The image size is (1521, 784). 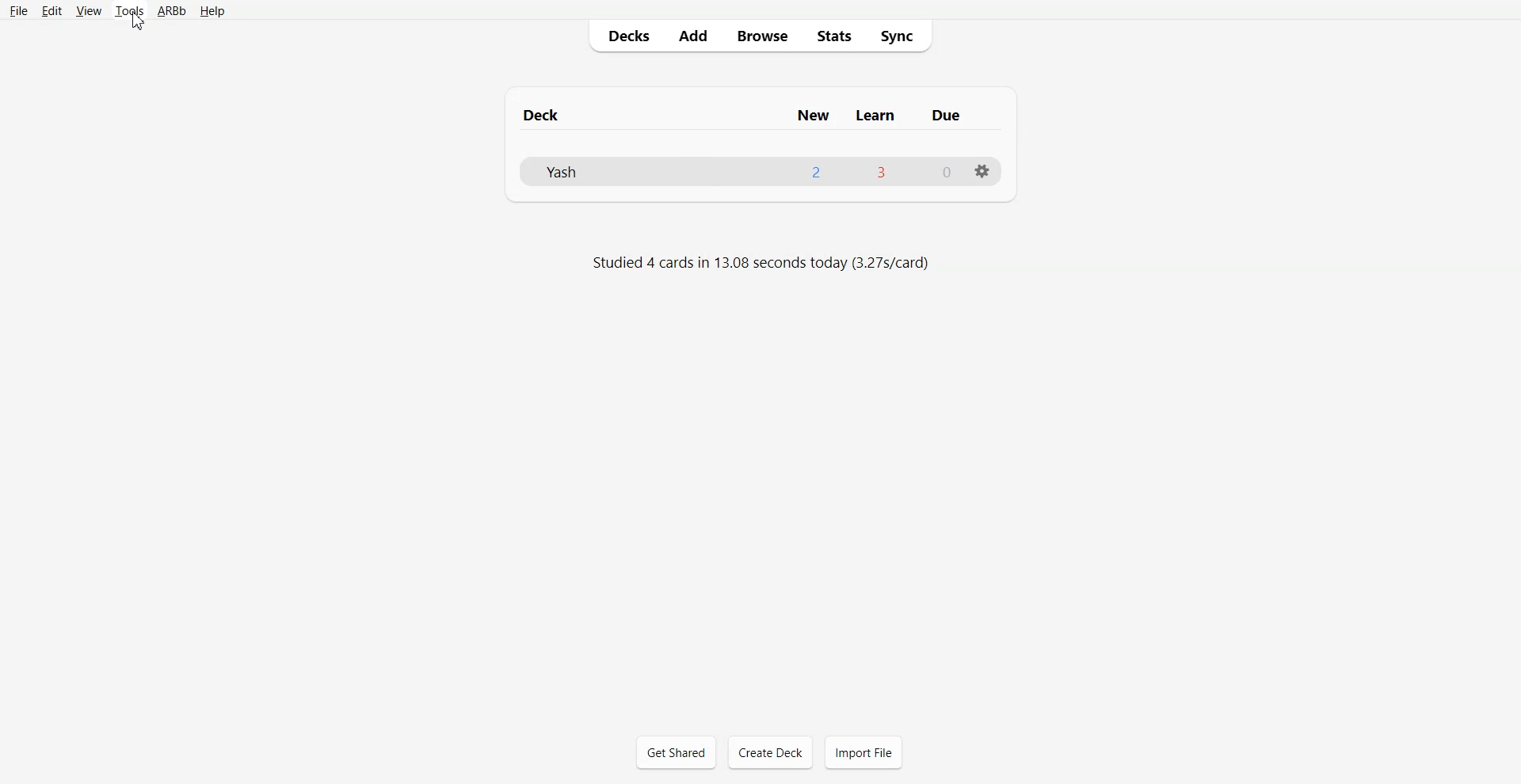 What do you see at coordinates (89, 11) in the screenshot?
I see `View` at bounding box center [89, 11].